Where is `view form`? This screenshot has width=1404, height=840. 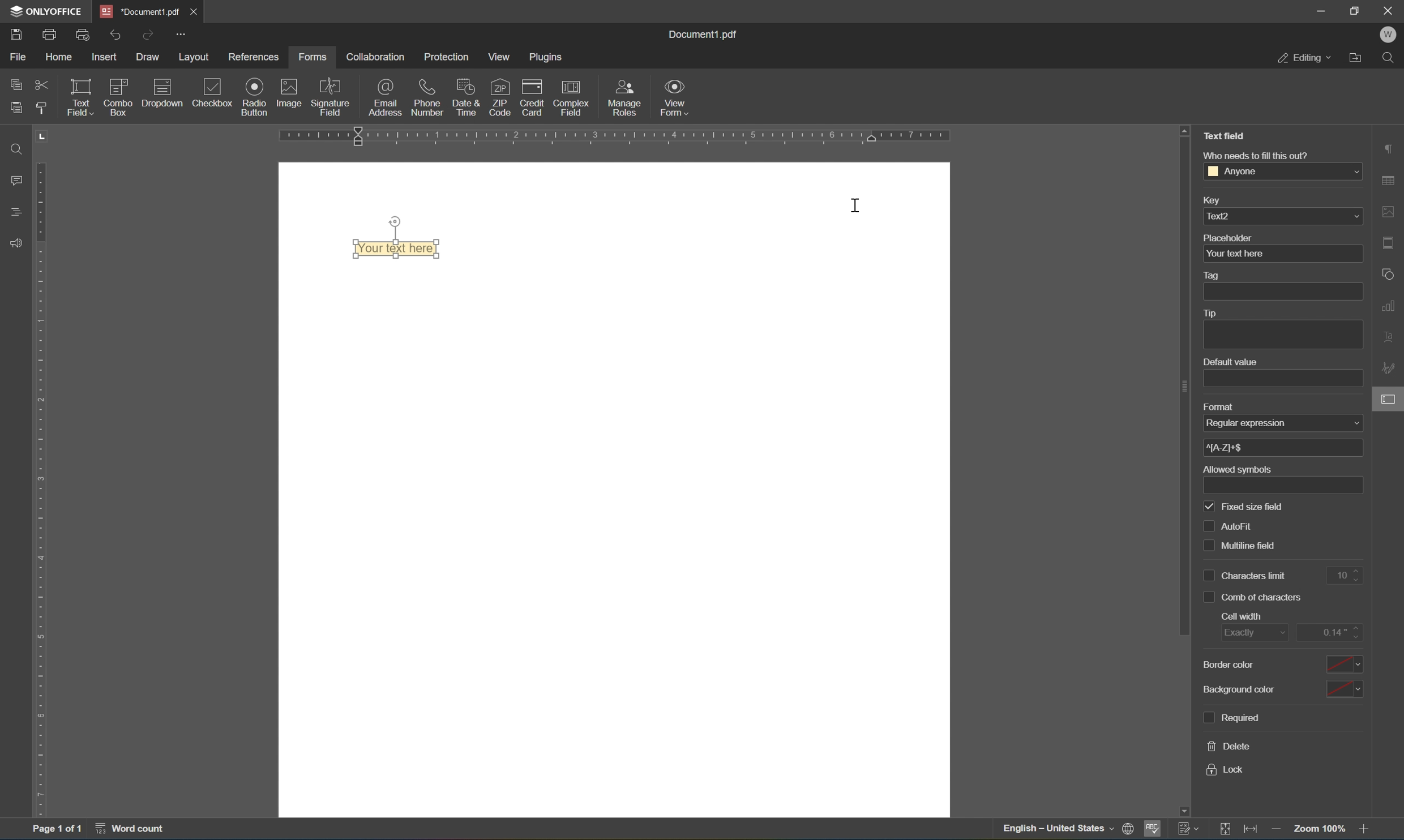
view form is located at coordinates (677, 97).